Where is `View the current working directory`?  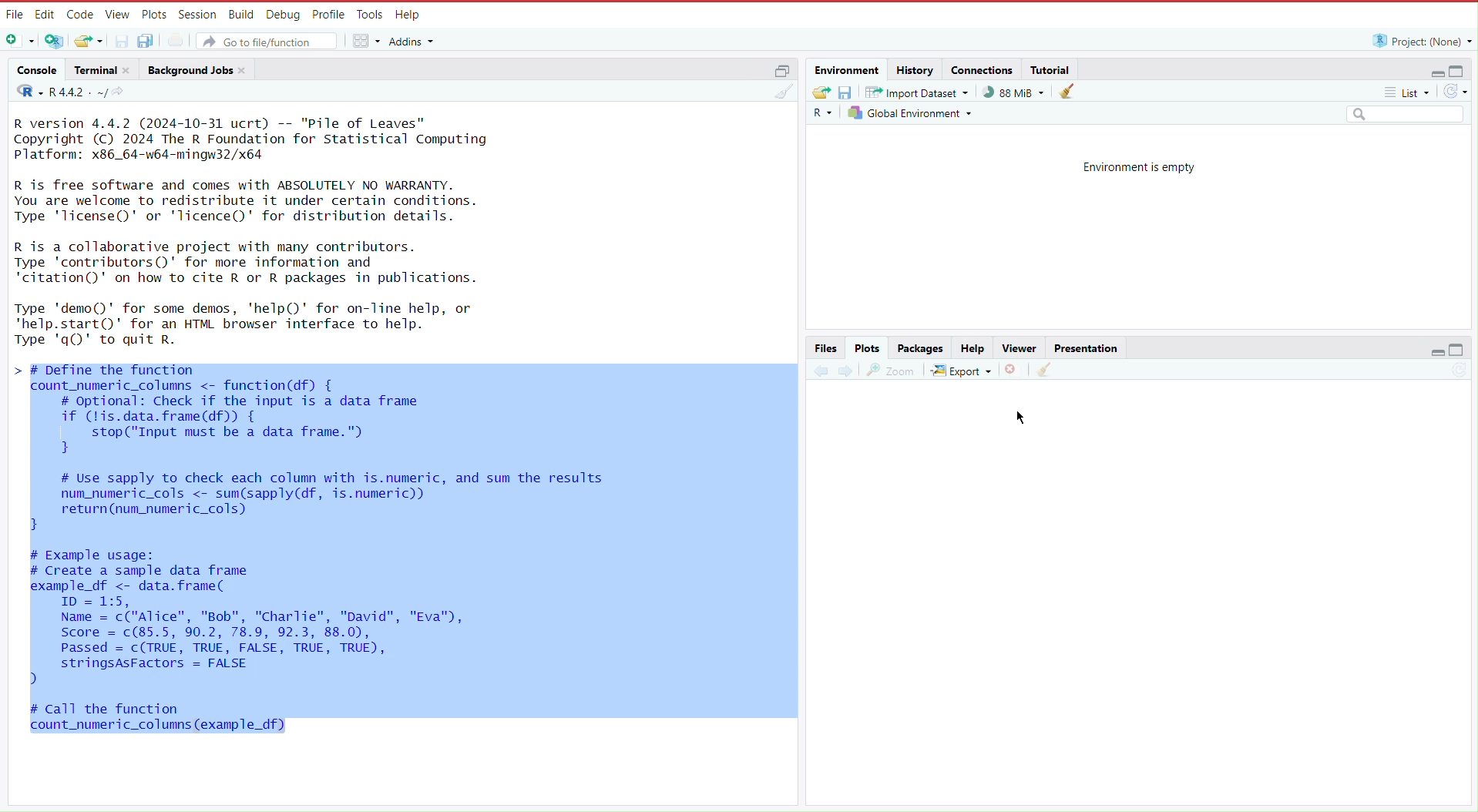
View the current working directory is located at coordinates (123, 92).